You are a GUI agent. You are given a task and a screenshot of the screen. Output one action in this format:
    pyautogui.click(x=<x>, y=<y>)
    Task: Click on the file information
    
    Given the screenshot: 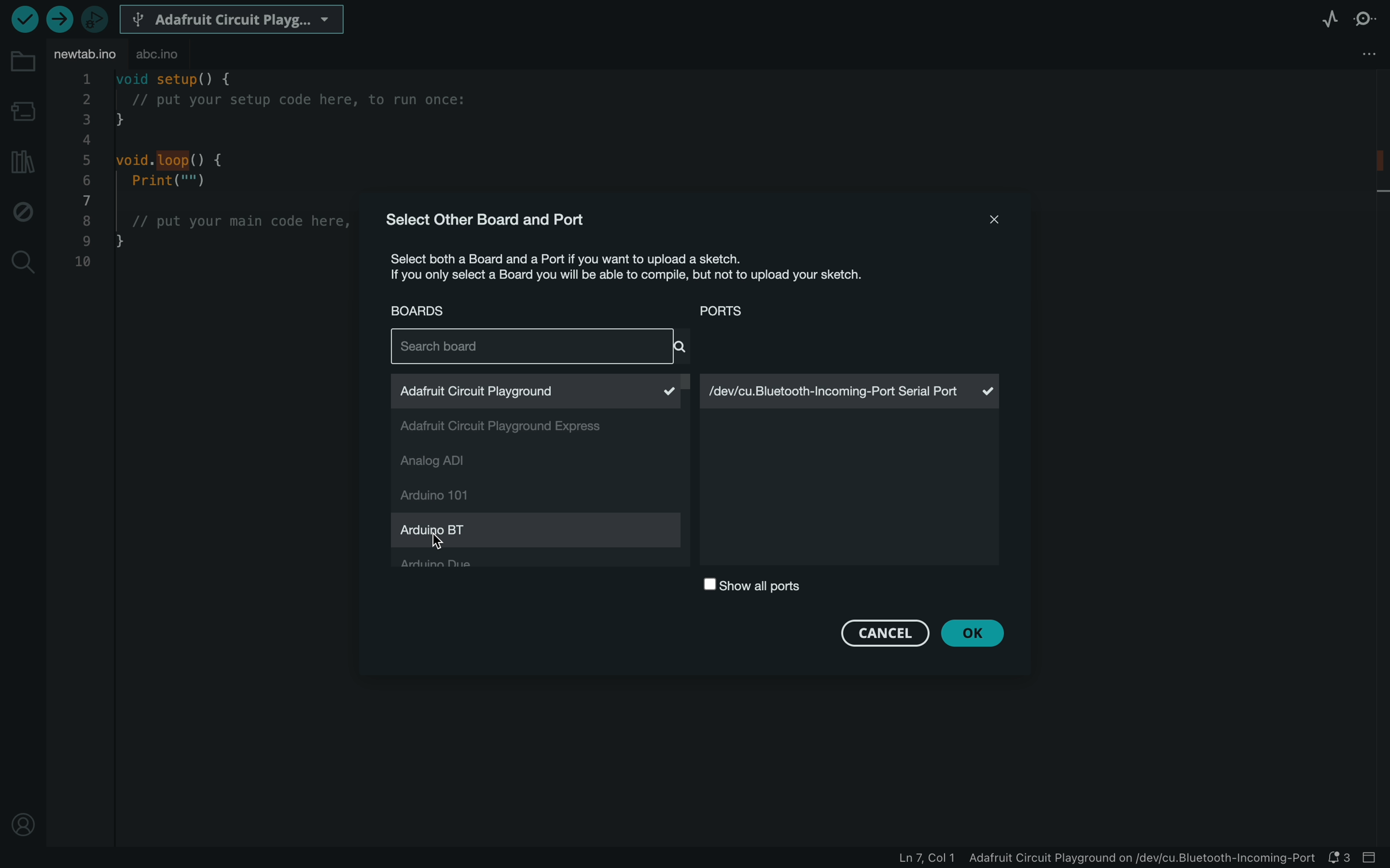 What is the action you would take?
    pyautogui.click(x=1079, y=859)
    